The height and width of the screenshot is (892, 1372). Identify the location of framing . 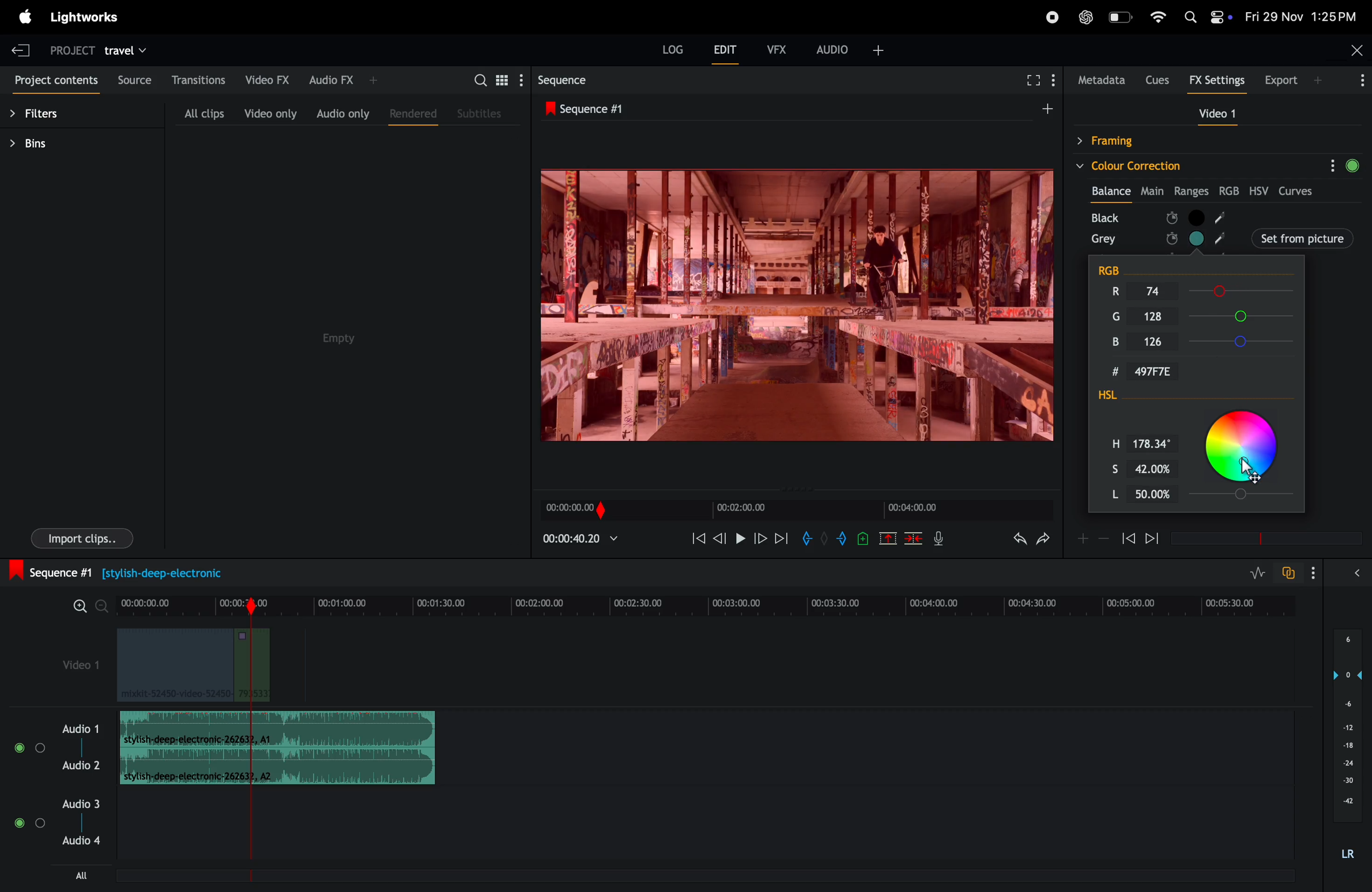
(1162, 141).